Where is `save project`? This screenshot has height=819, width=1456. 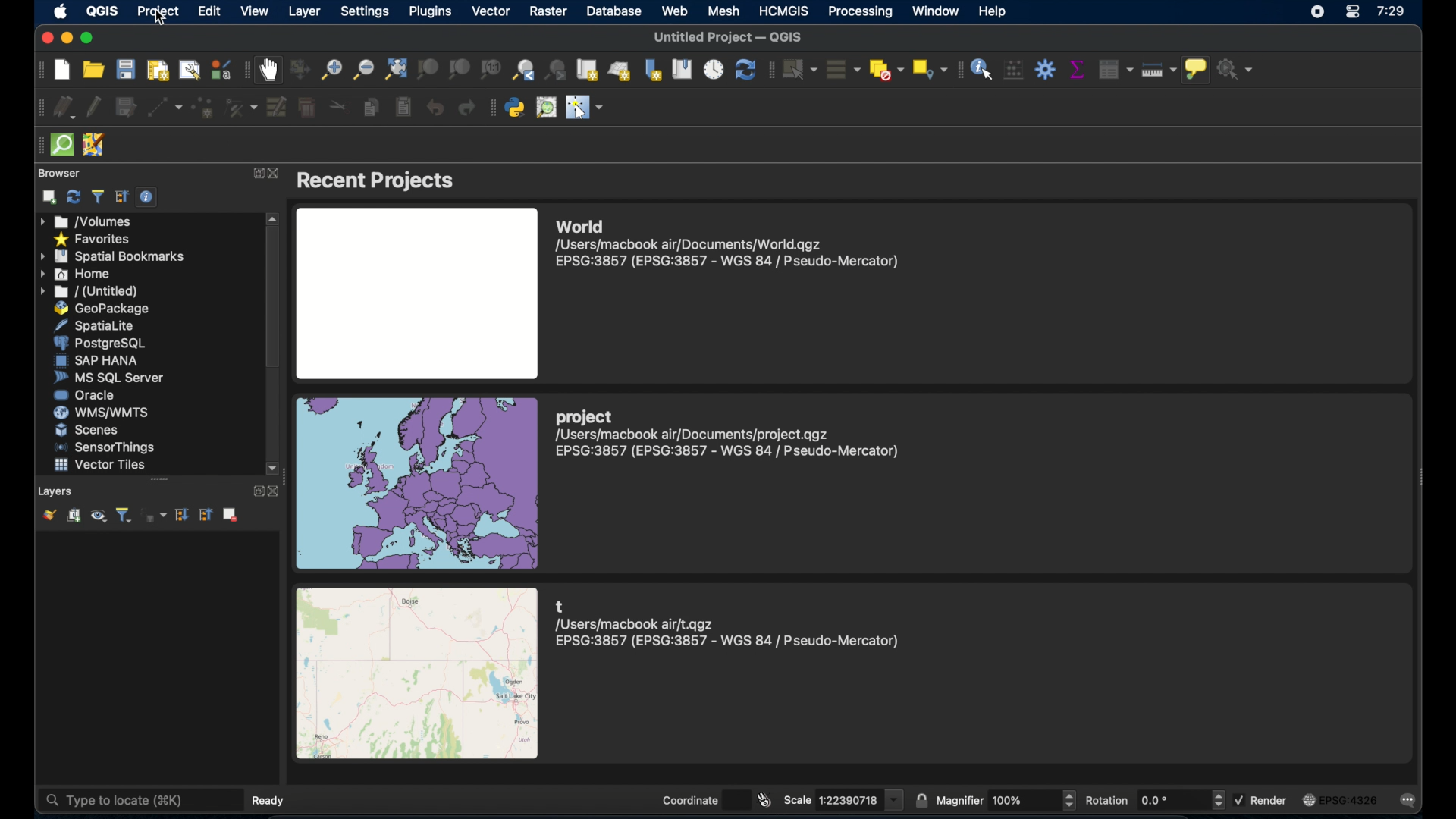
save project is located at coordinates (125, 70).